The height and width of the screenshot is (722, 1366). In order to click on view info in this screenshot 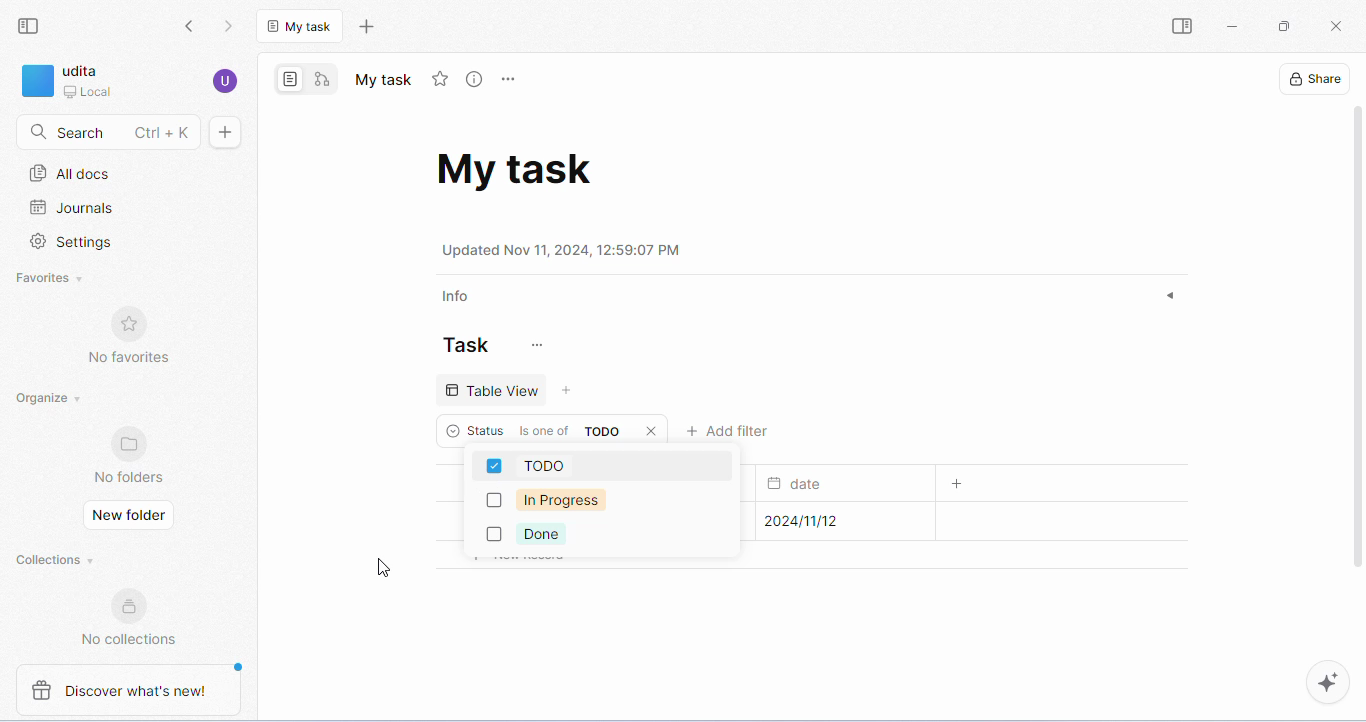, I will do `click(477, 80)`.